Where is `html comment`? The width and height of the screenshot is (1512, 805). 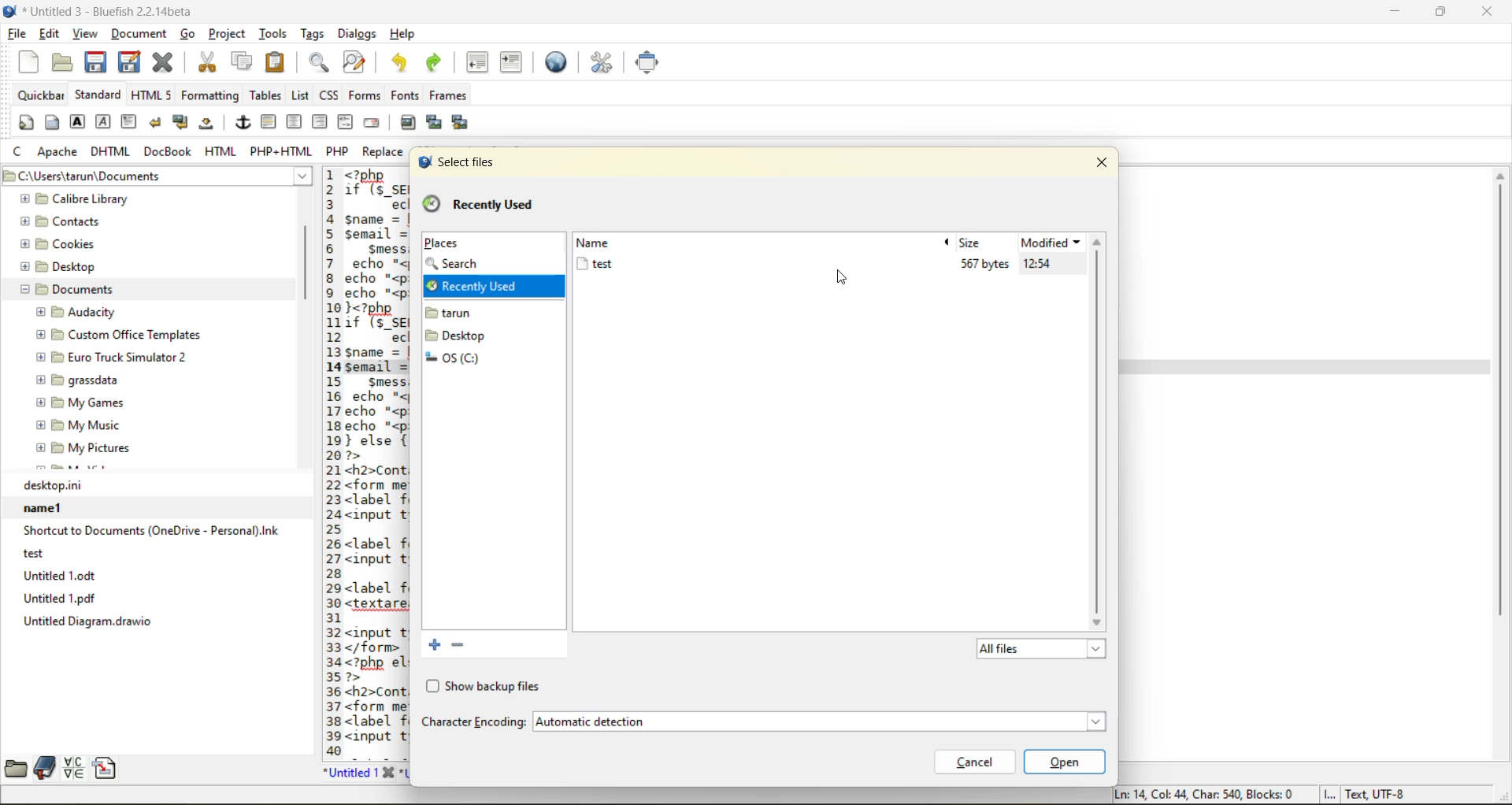
html comment is located at coordinates (345, 122).